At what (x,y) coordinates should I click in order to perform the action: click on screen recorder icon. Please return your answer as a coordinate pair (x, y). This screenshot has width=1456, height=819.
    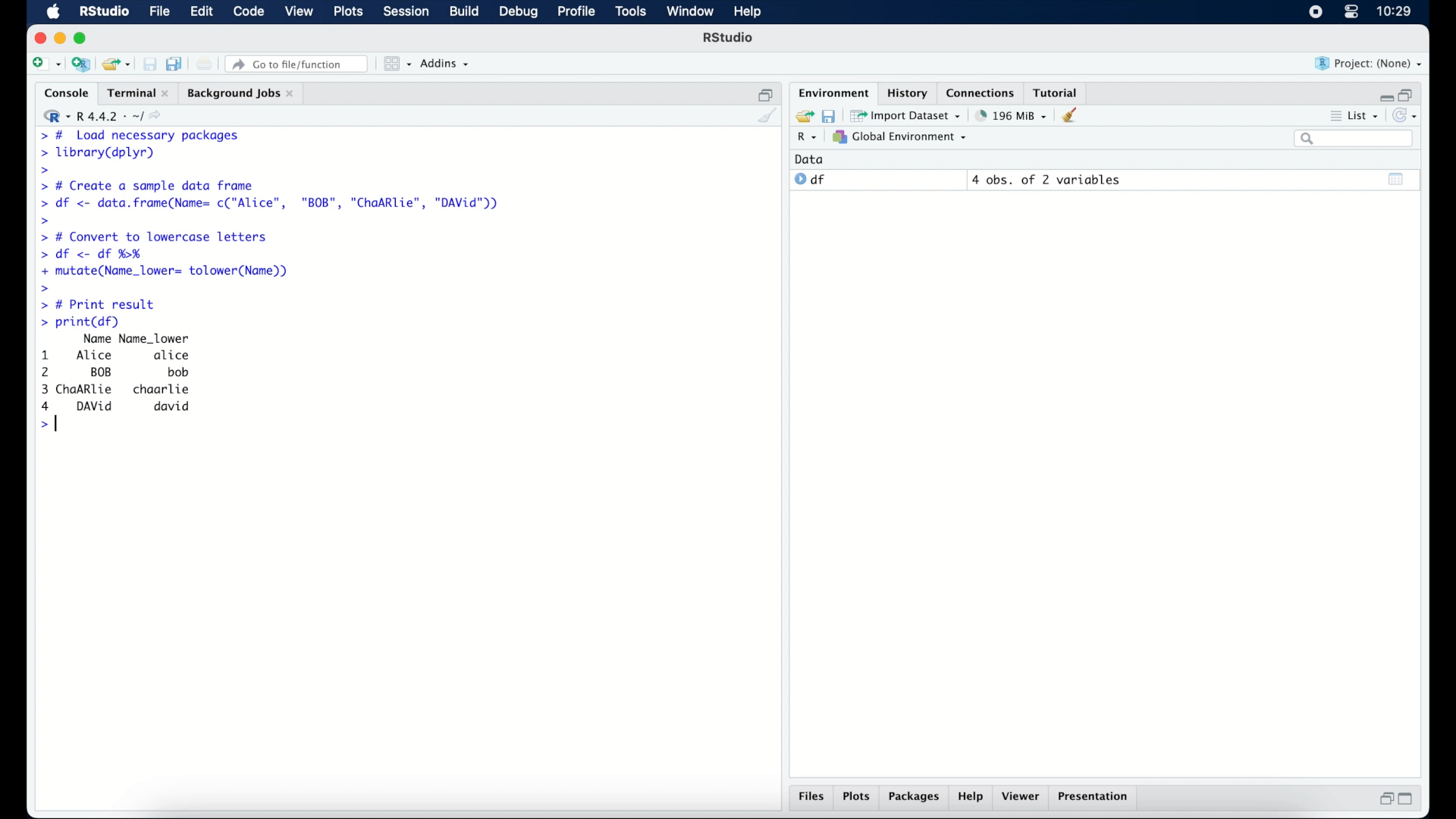
    Looking at the image, I should click on (1314, 12).